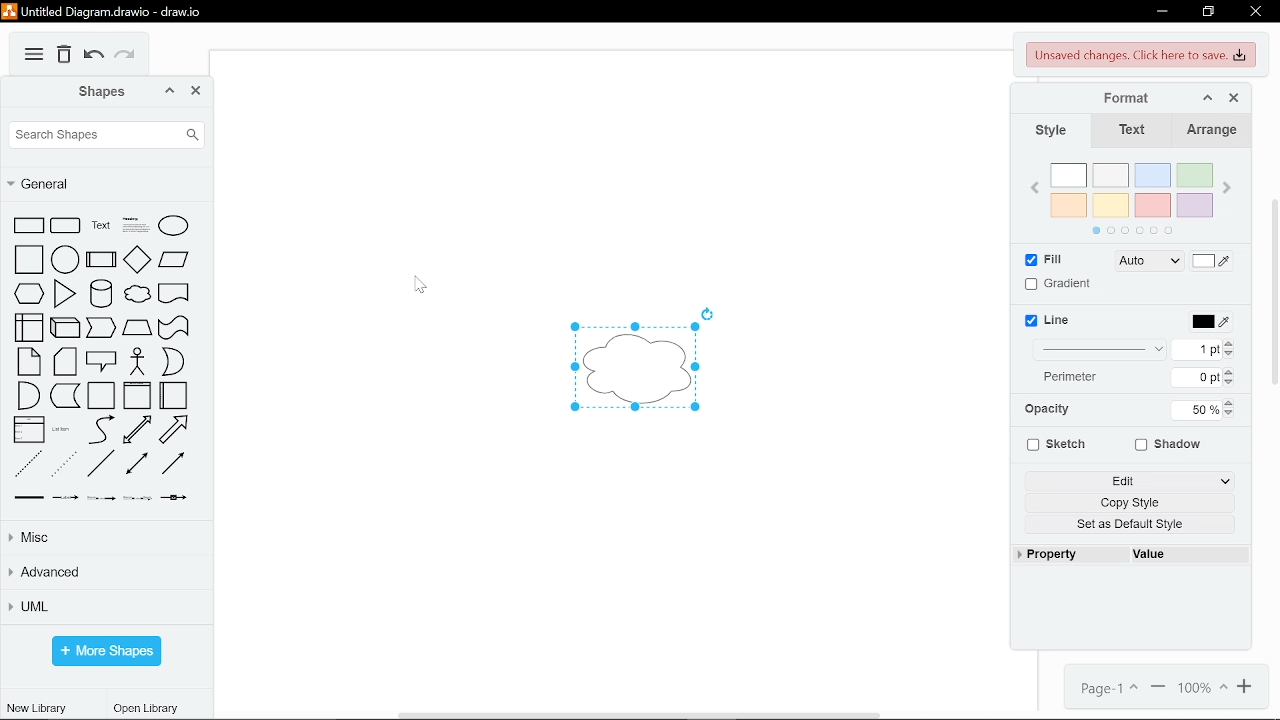 The width and height of the screenshot is (1280, 720). Describe the element at coordinates (1210, 131) in the screenshot. I see `arrange` at that location.